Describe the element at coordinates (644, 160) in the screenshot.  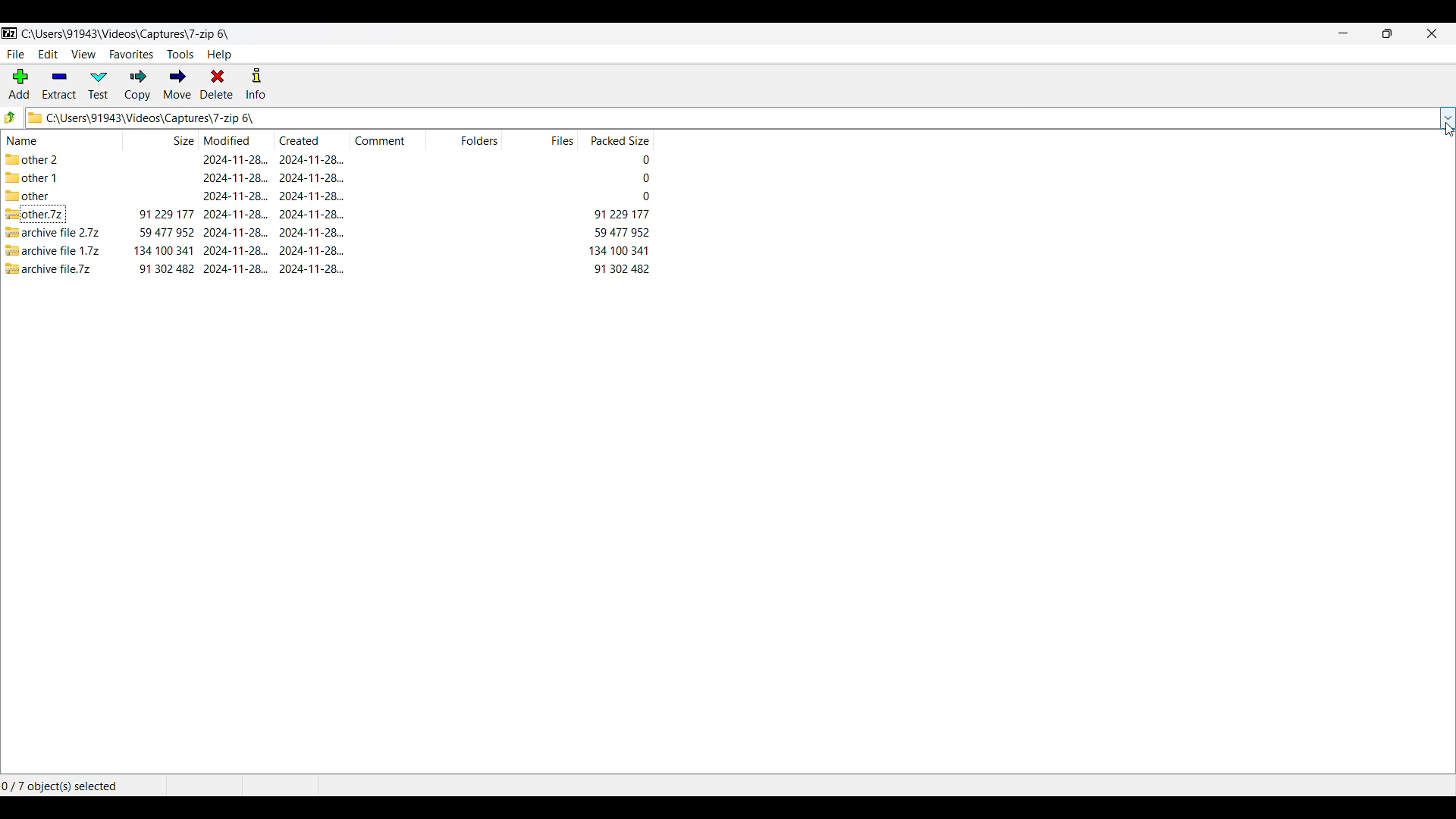
I see `packed size` at that location.